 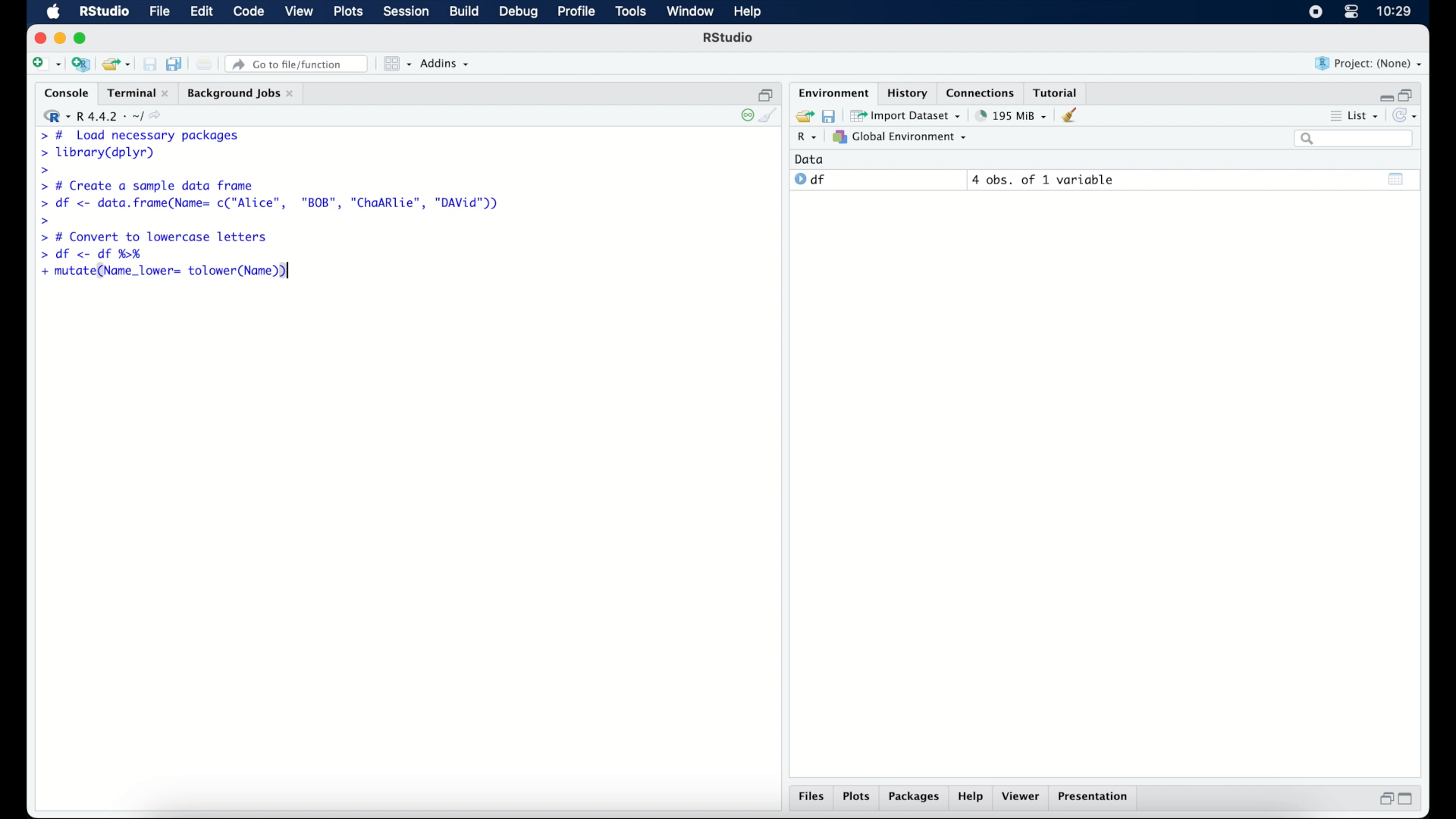 I want to click on create new file, so click(x=45, y=65).